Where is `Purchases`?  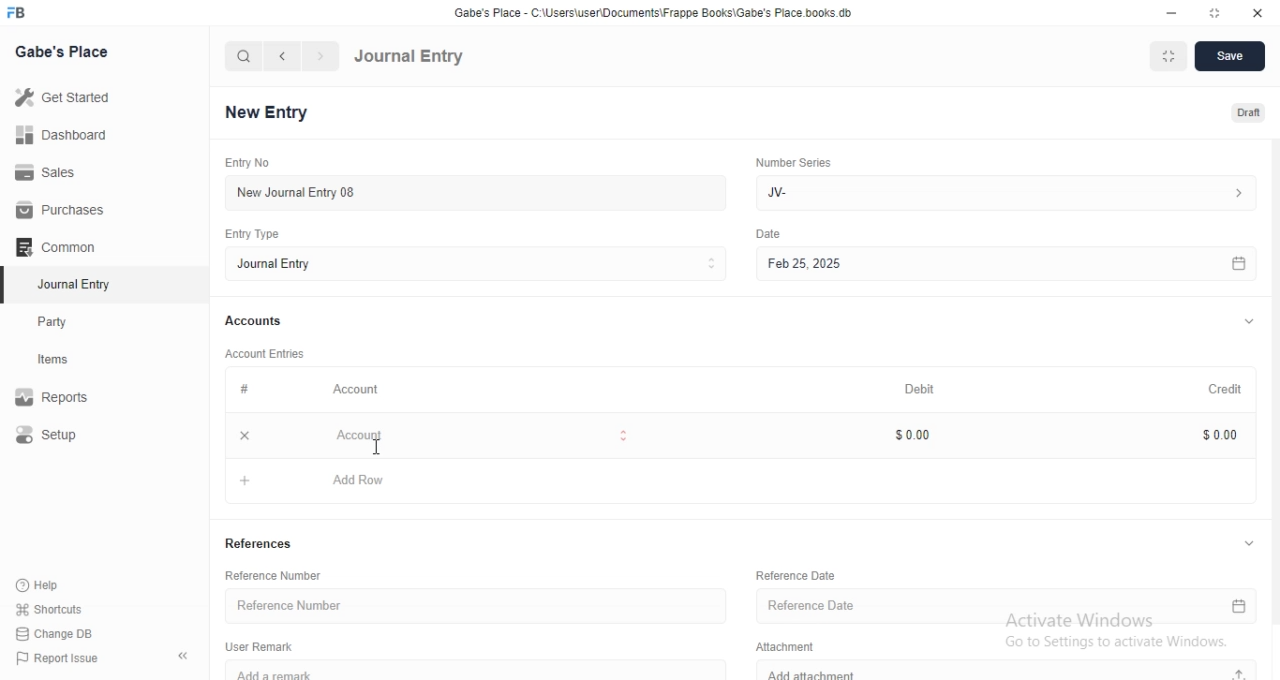 Purchases is located at coordinates (58, 210).